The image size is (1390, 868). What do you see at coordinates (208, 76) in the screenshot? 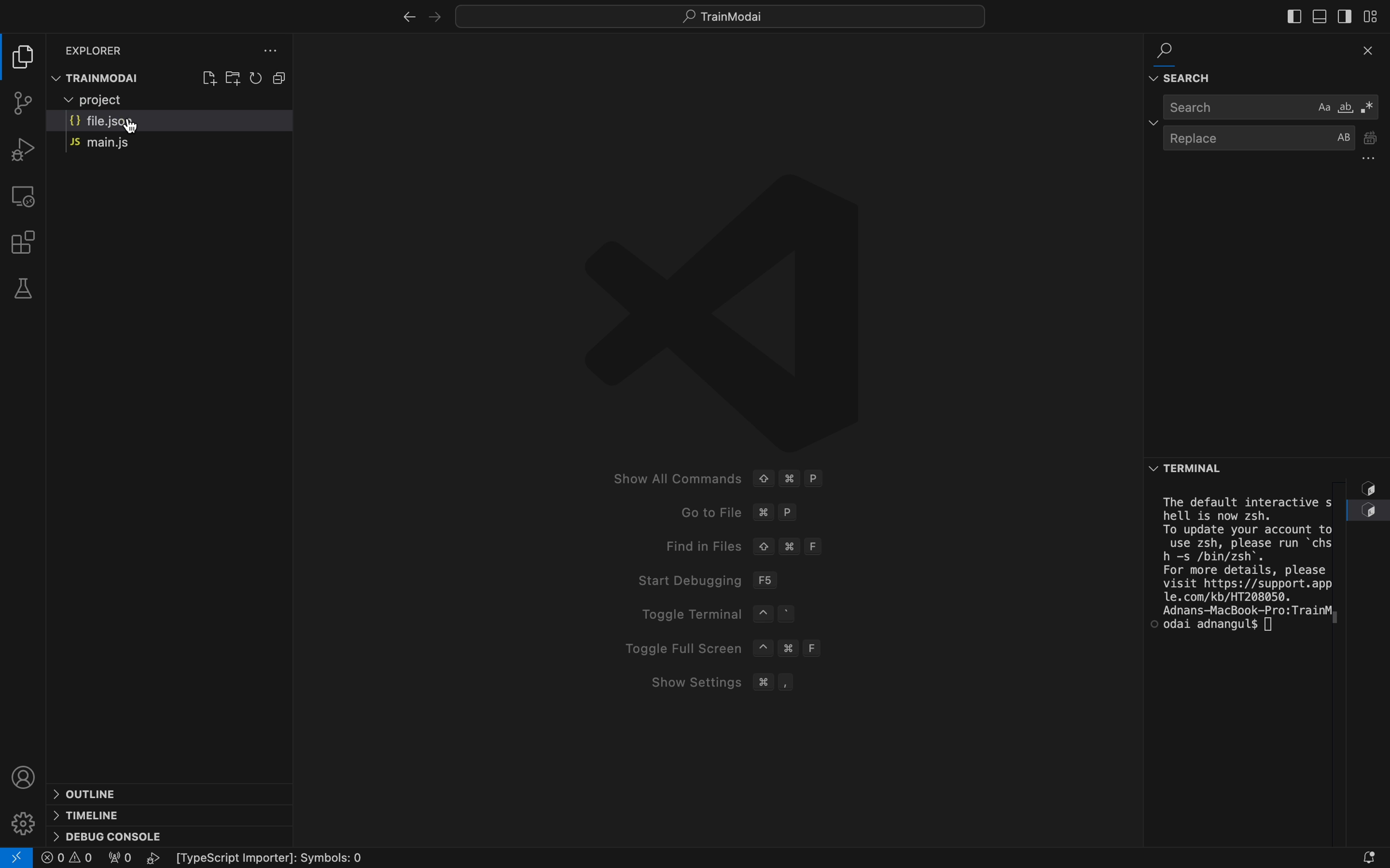
I see `create file` at bounding box center [208, 76].